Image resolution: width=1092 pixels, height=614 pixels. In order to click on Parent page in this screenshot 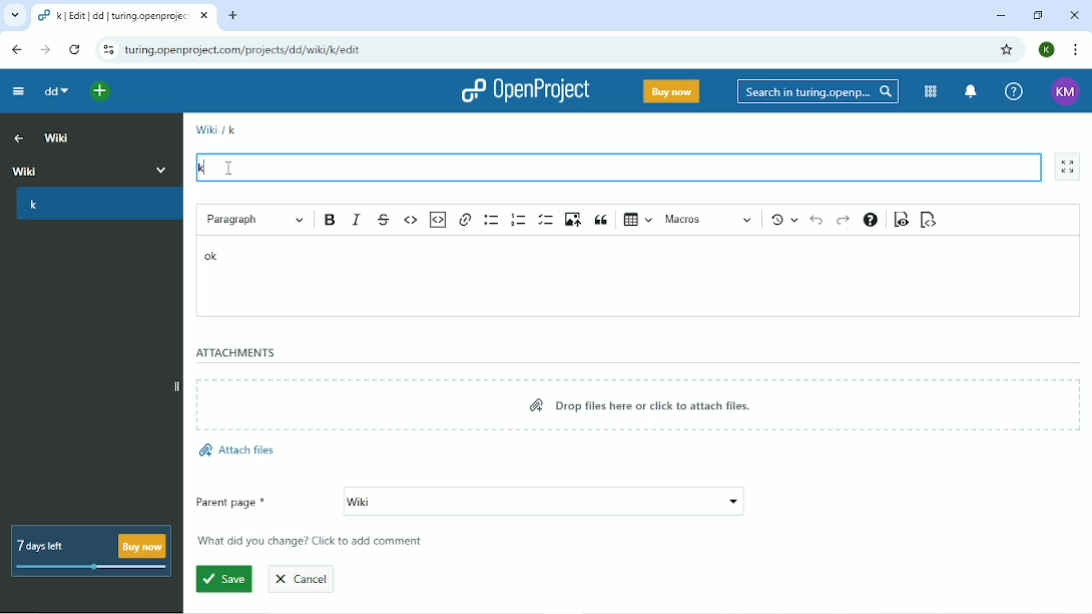, I will do `click(233, 500)`.